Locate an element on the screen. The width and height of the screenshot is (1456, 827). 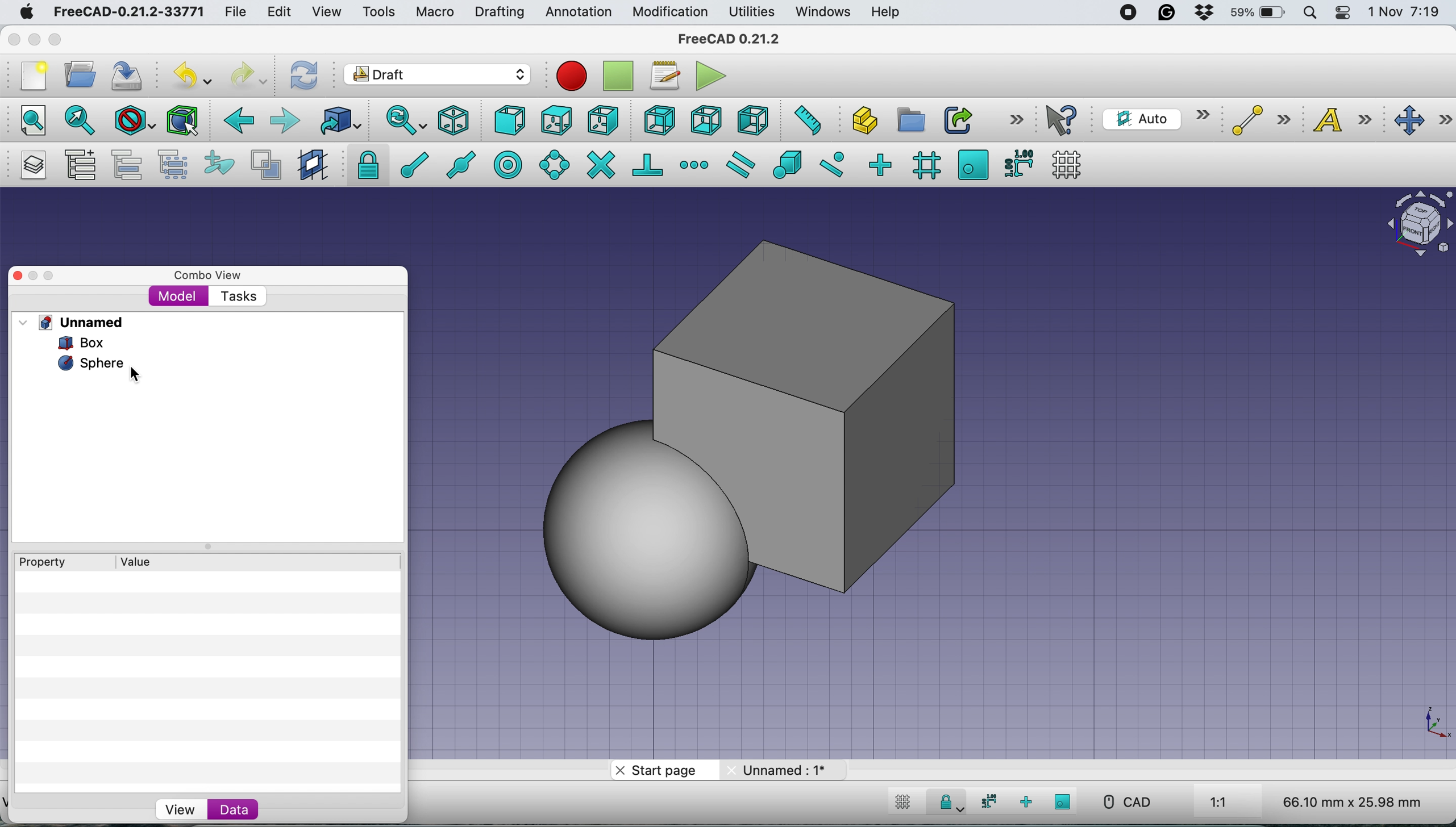
dimensions is located at coordinates (1349, 801).